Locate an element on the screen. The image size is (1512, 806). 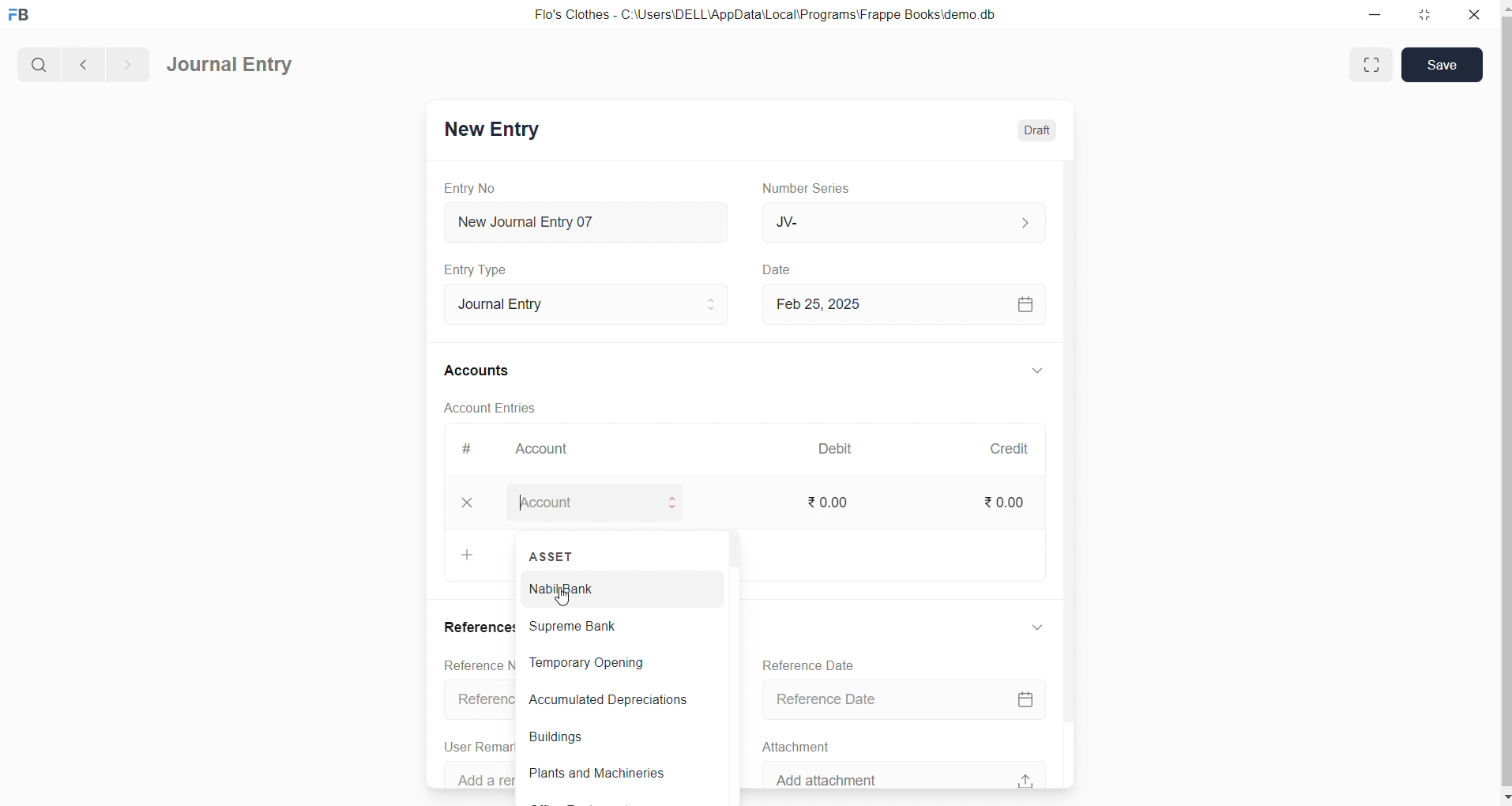
Credit is located at coordinates (1017, 448).